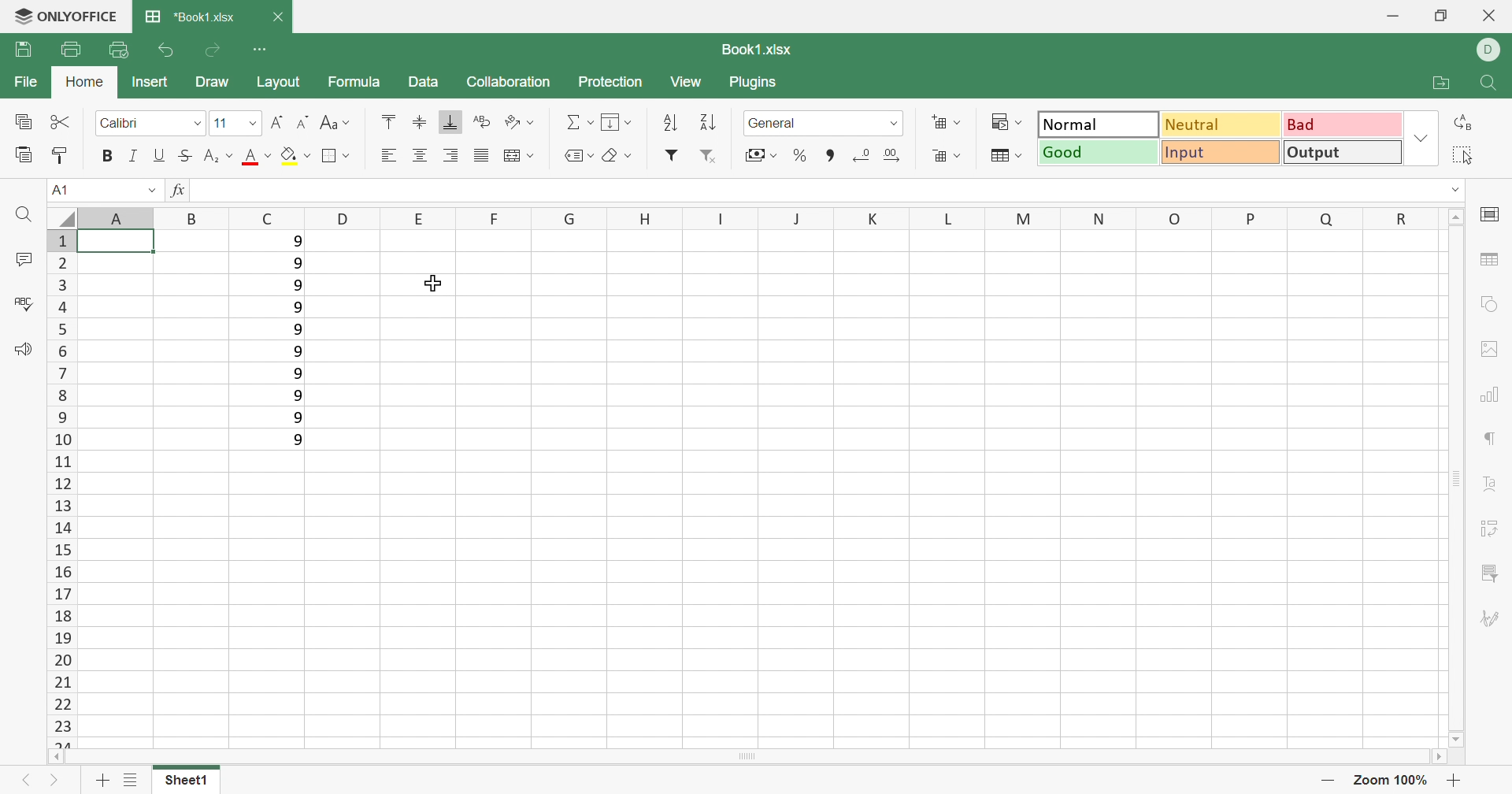  Describe the element at coordinates (420, 122) in the screenshot. I see `Align Middle` at that location.